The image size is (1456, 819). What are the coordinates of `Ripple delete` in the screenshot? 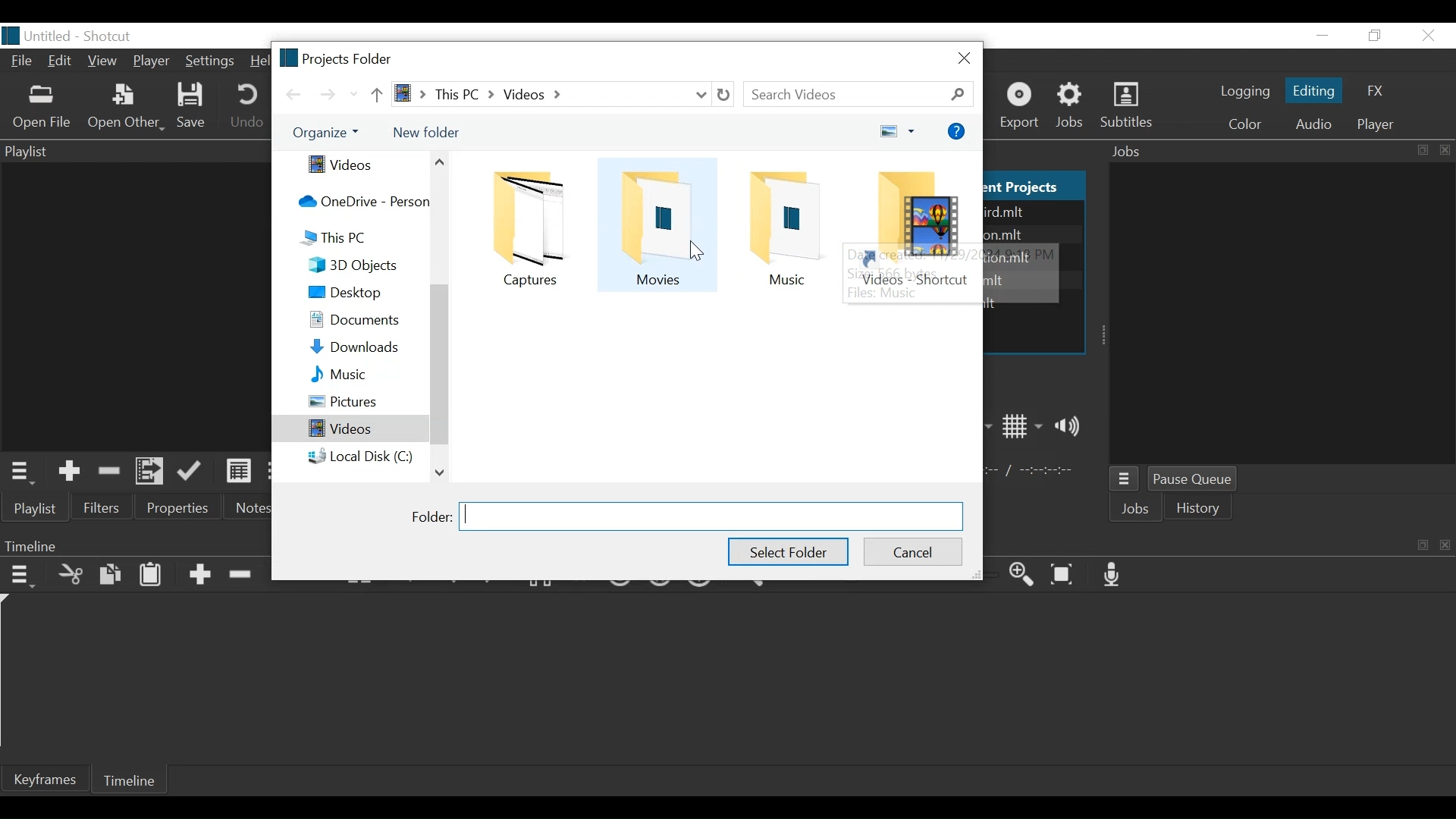 It's located at (243, 575).